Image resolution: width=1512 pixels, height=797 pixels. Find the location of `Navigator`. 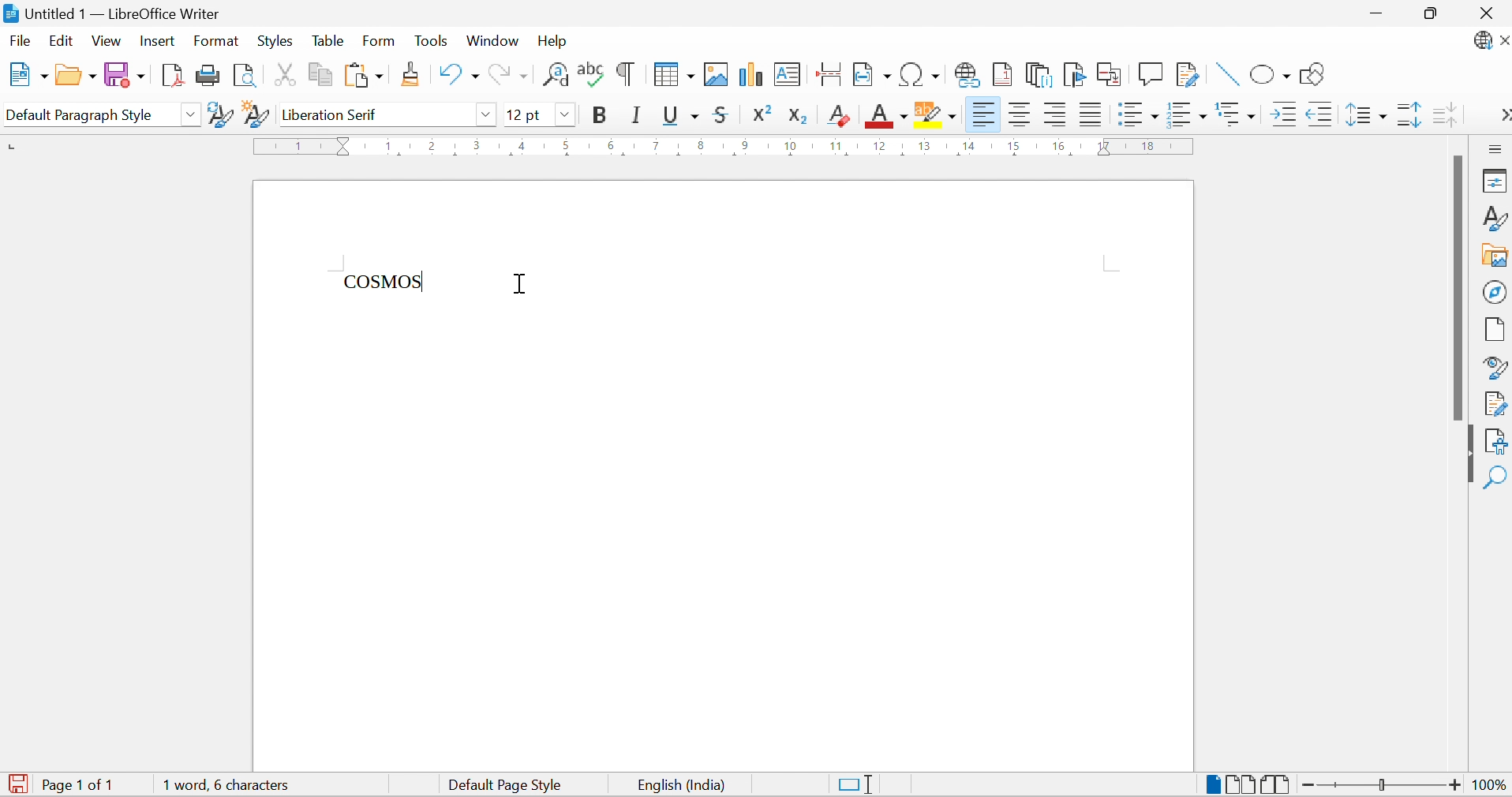

Navigator is located at coordinates (1495, 291).